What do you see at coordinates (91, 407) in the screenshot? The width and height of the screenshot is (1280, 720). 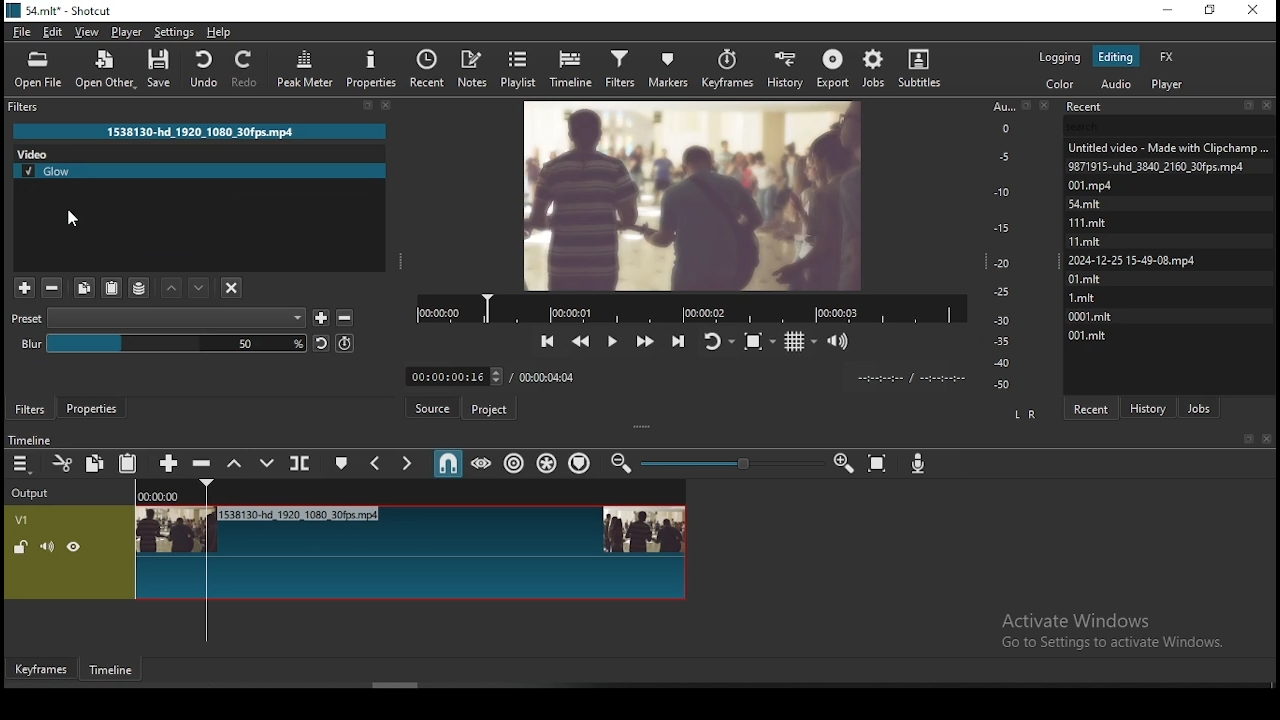 I see `properties` at bounding box center [91, 407].